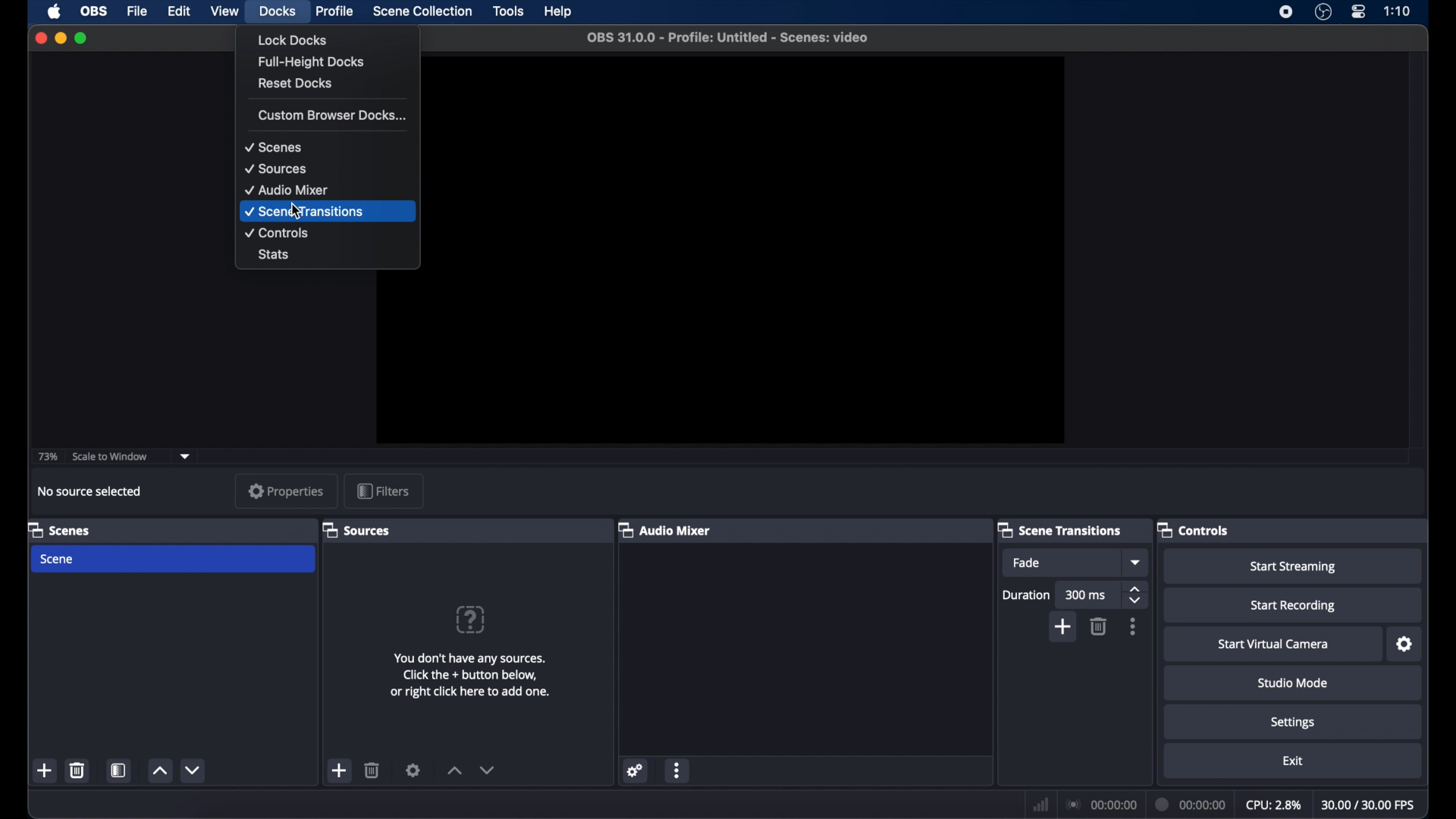 The width and height of the screenshot is (1456, 819). Describe the element at coordinates (559, 12) in the screenshot. I see `help` at that location.